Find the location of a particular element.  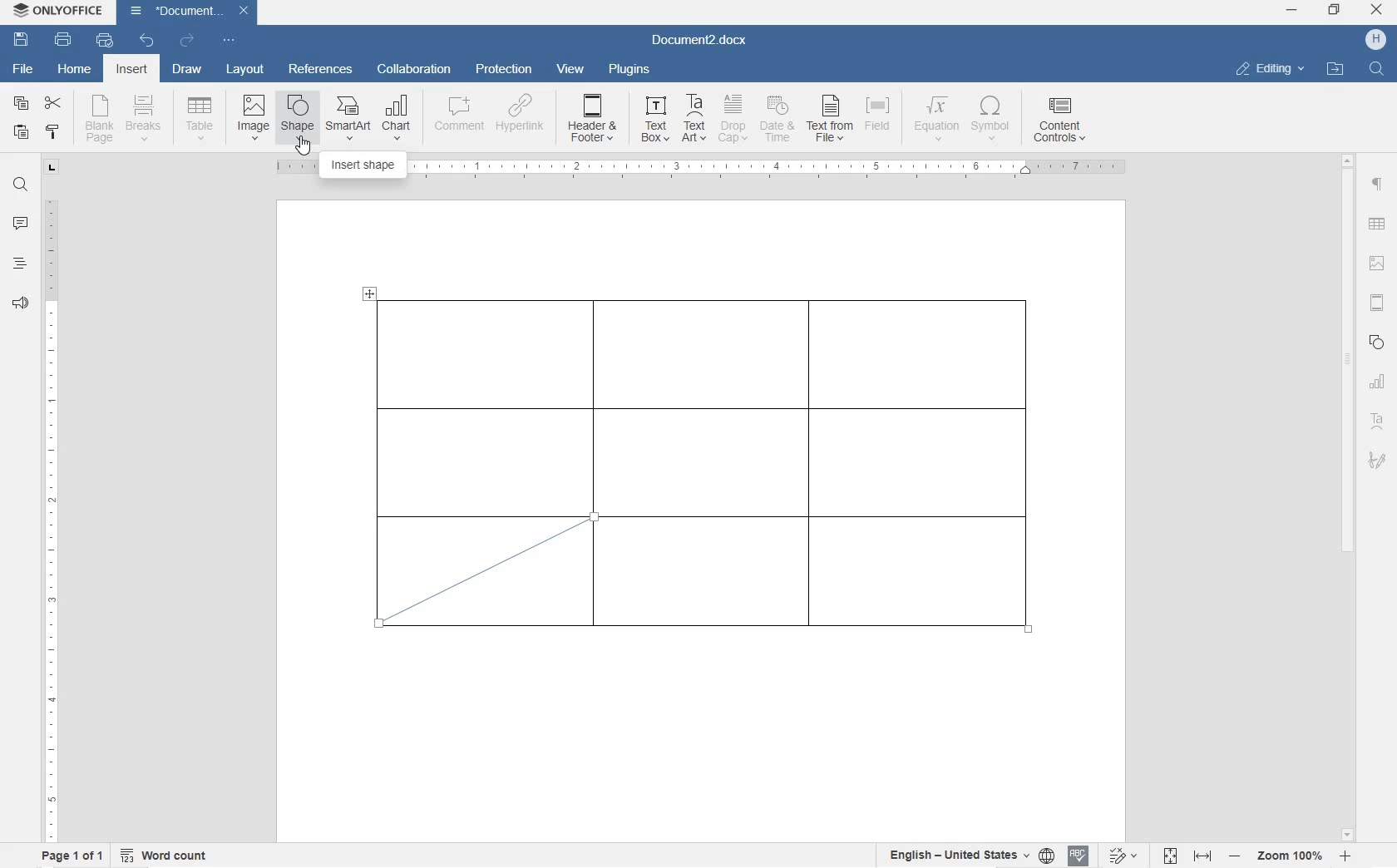

HYPERLINK is located at coordinates (521, 119).